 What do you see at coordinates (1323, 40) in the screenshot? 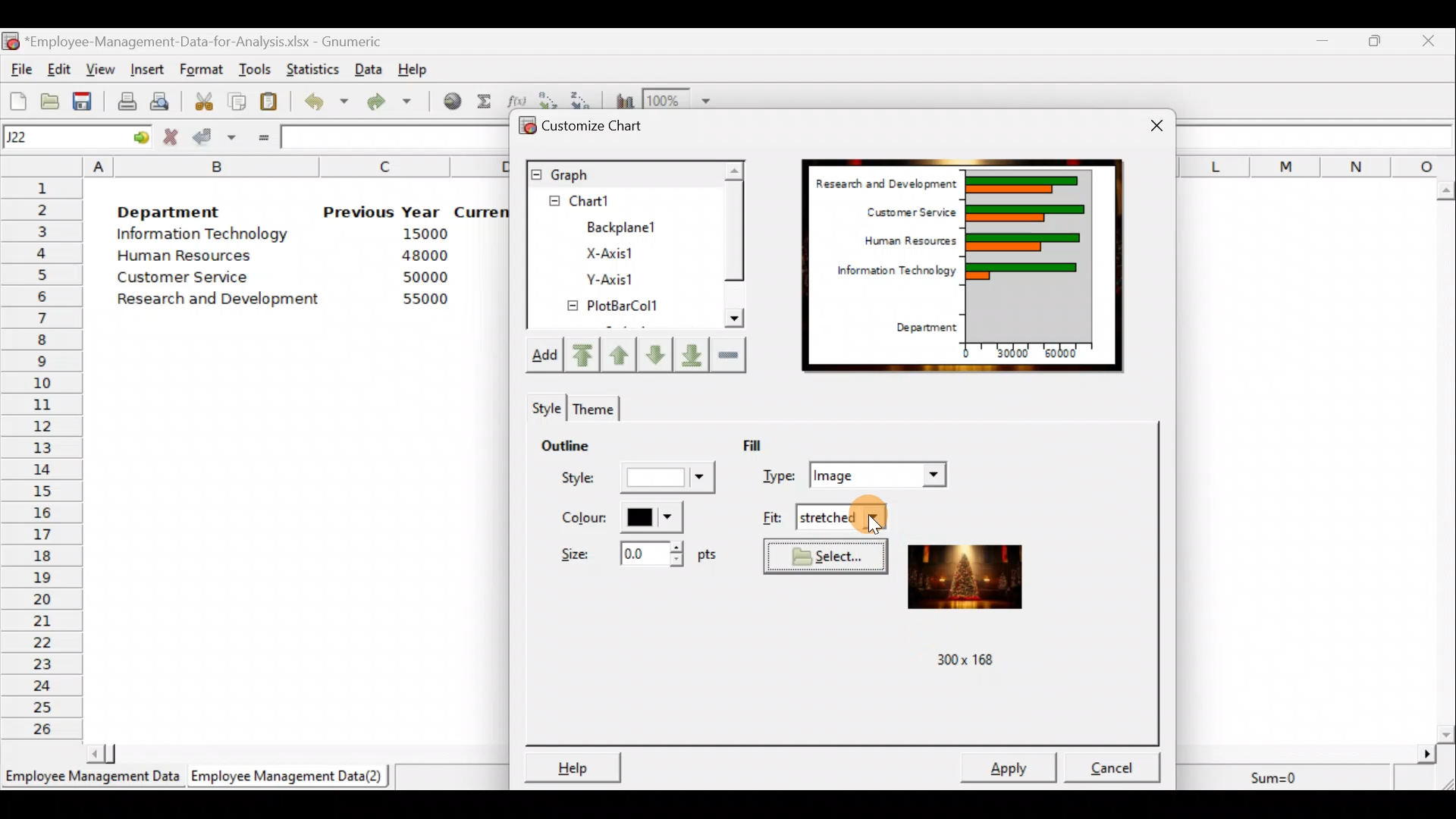
I see `Minimize` at bounding box center [1323, 40].